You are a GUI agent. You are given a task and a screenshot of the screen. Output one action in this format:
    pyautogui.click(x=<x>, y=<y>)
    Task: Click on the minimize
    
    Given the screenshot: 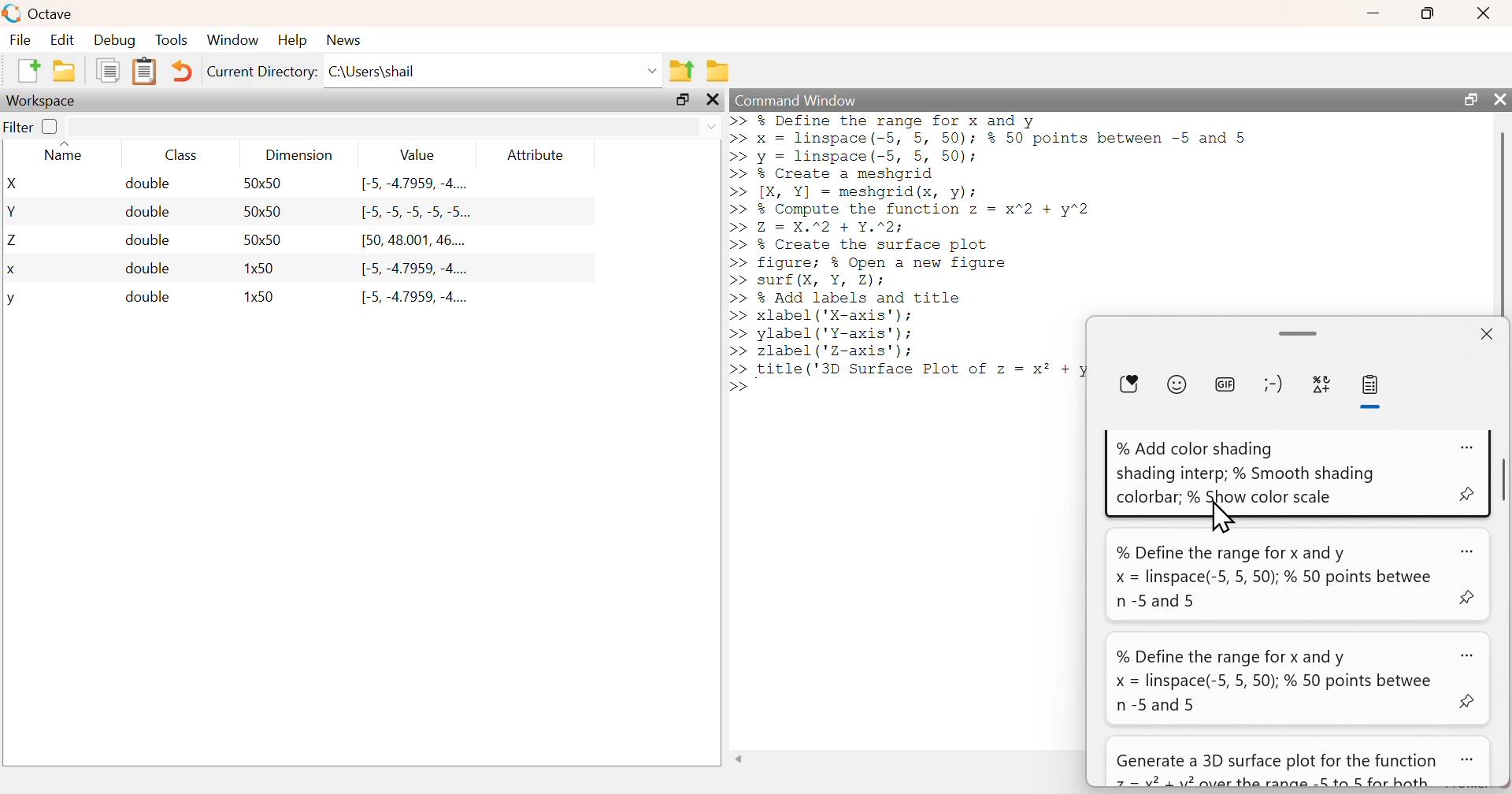 What is the action you would take?
    pyautogui.click(x=1373, y=13)
    